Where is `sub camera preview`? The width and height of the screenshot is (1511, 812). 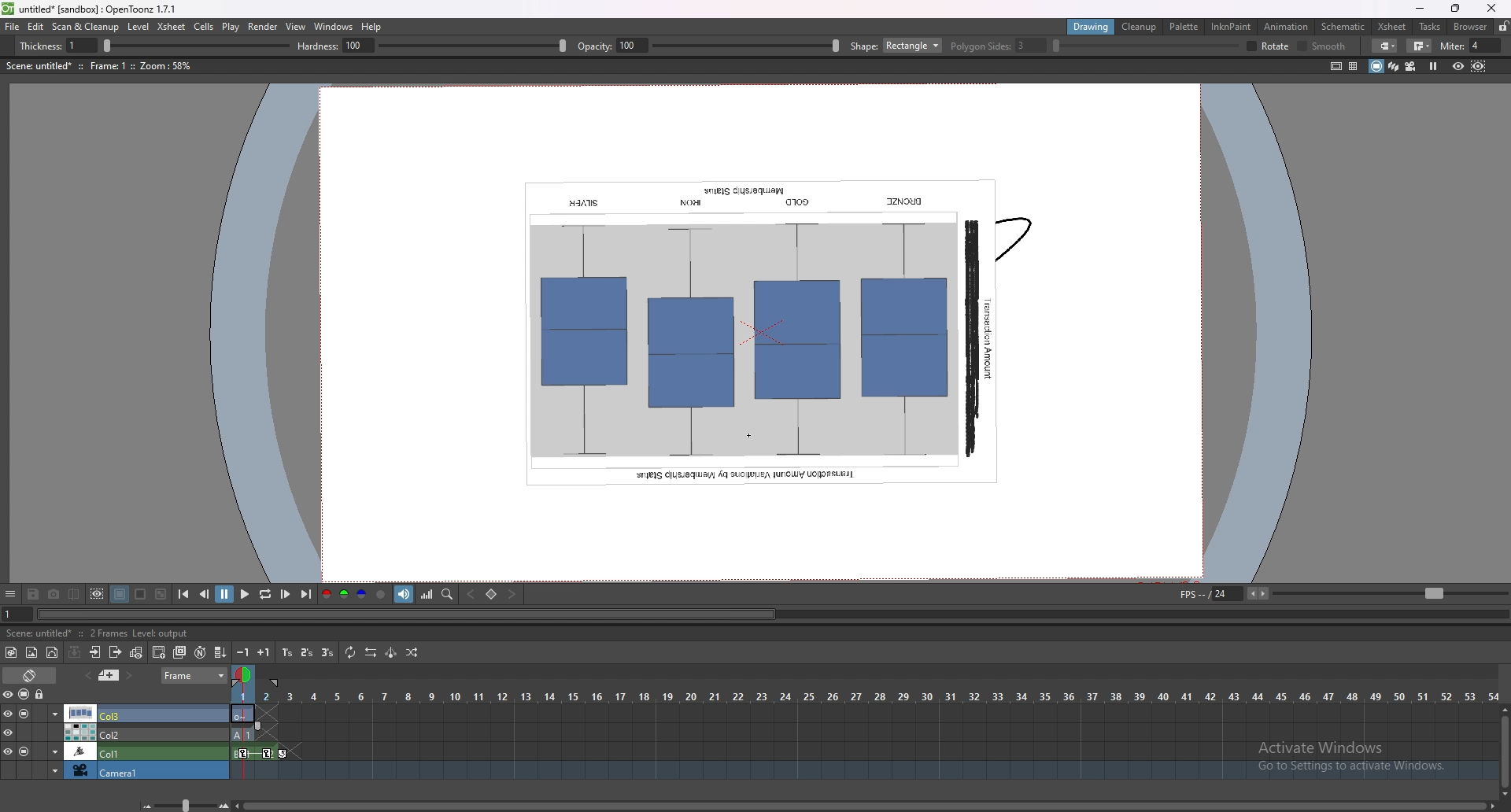
sub camera preview is located at coordinates (1479, 65).